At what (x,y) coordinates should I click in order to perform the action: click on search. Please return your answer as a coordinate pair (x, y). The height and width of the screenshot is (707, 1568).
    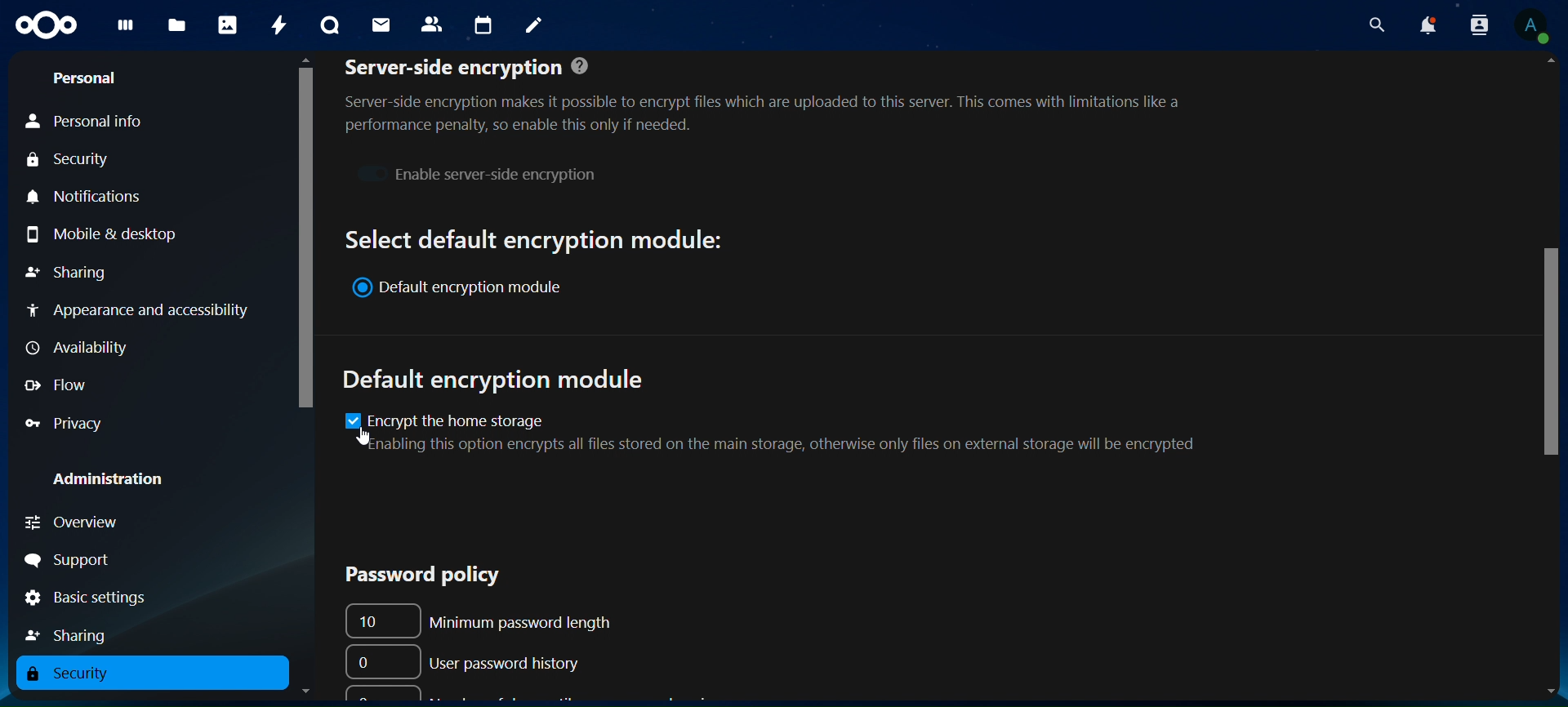
    Looking at the image, I should click on (1377, 25).